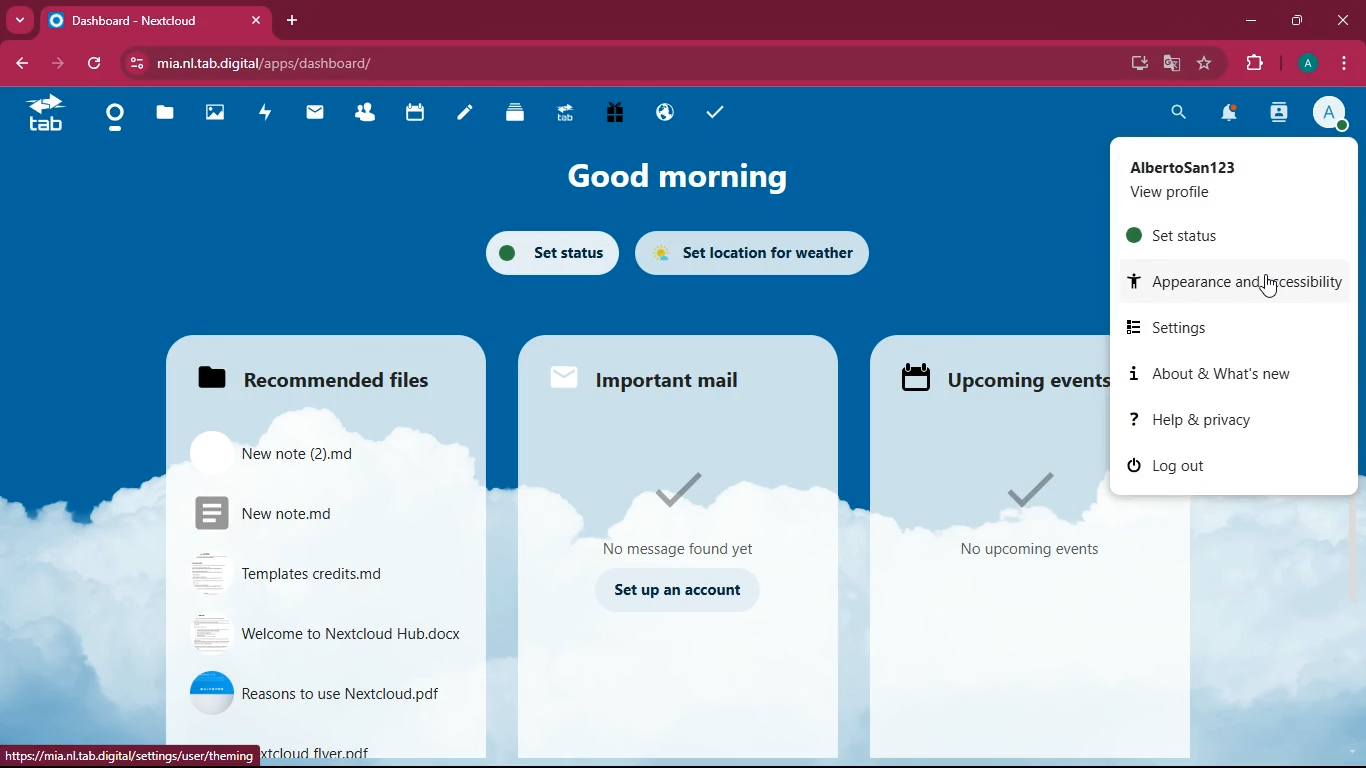  What do you see at coordinates (670, 378) in the screenshot?
I see `mail` at bounding box center [670, 378].